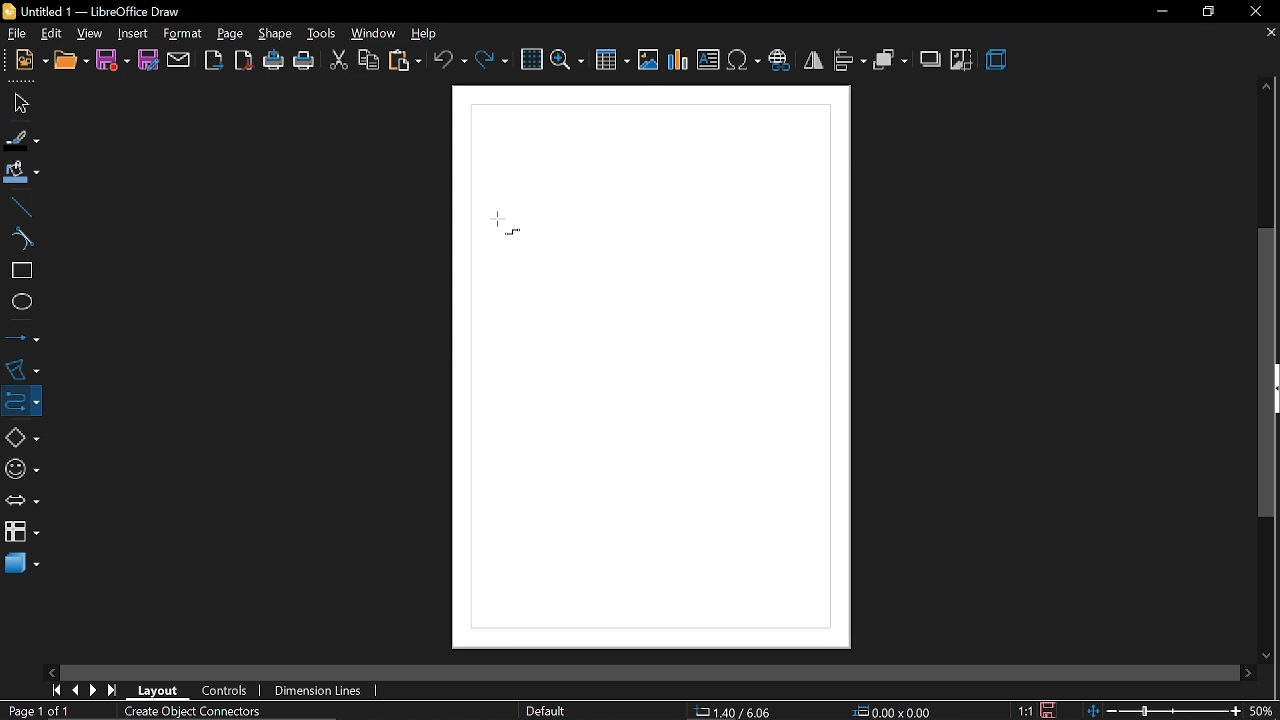  I want to click on Vertical scrollbar, so click(1267, 374).